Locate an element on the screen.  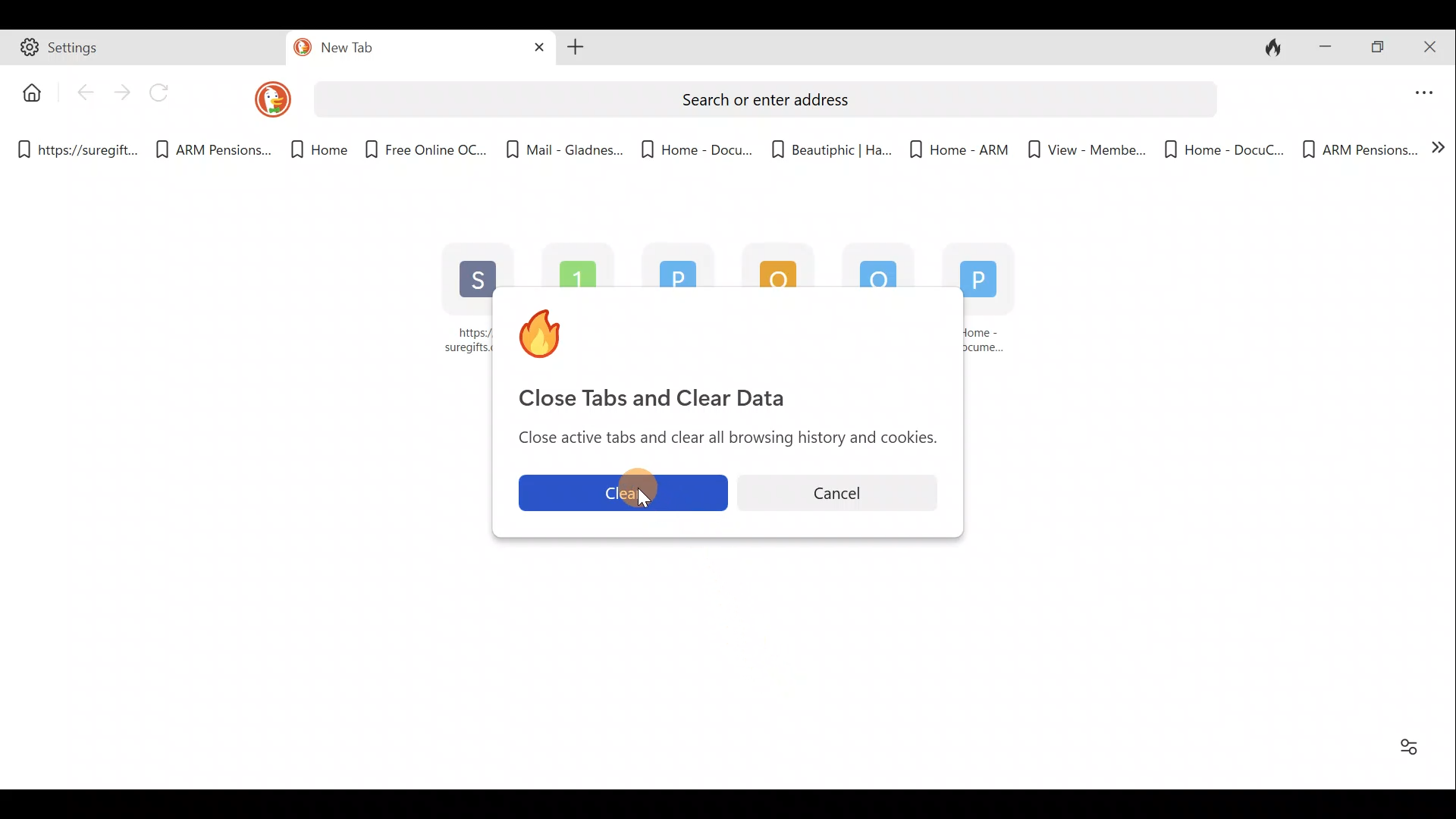
Home - ARM is located at coordinates (950, 144).